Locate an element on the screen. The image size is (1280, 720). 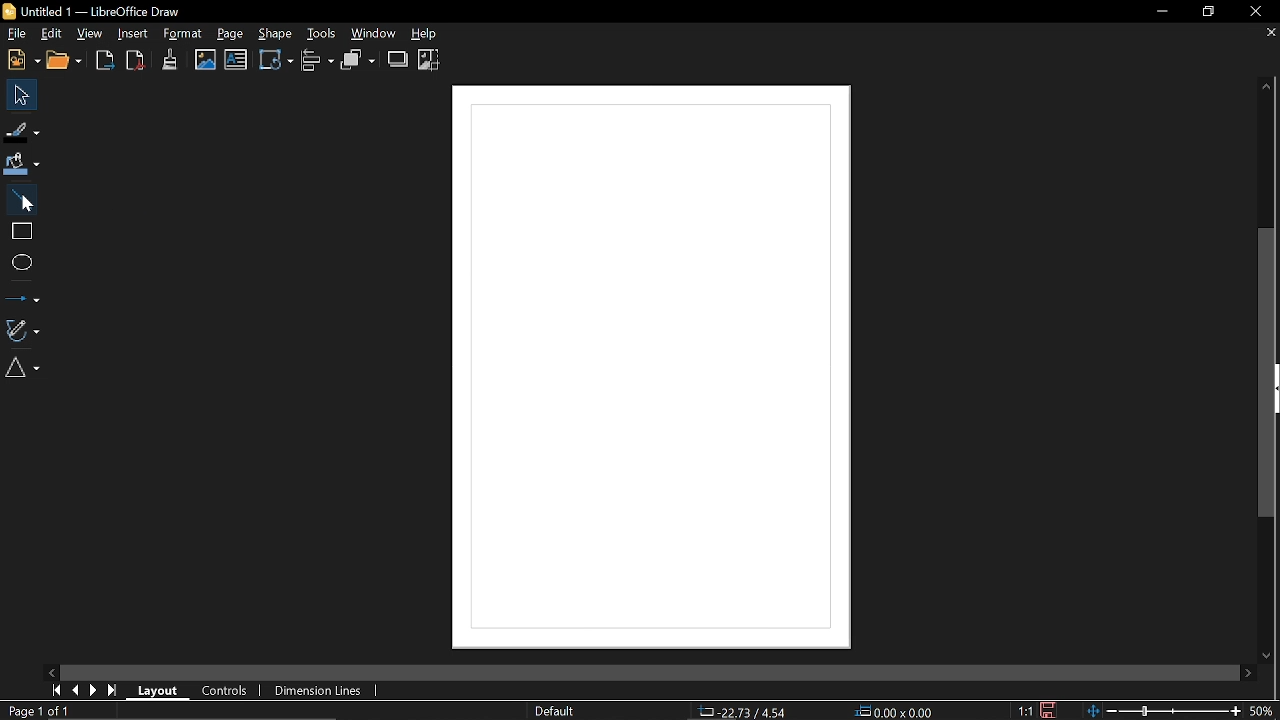
Crop image is located at coordinates (431, 59).